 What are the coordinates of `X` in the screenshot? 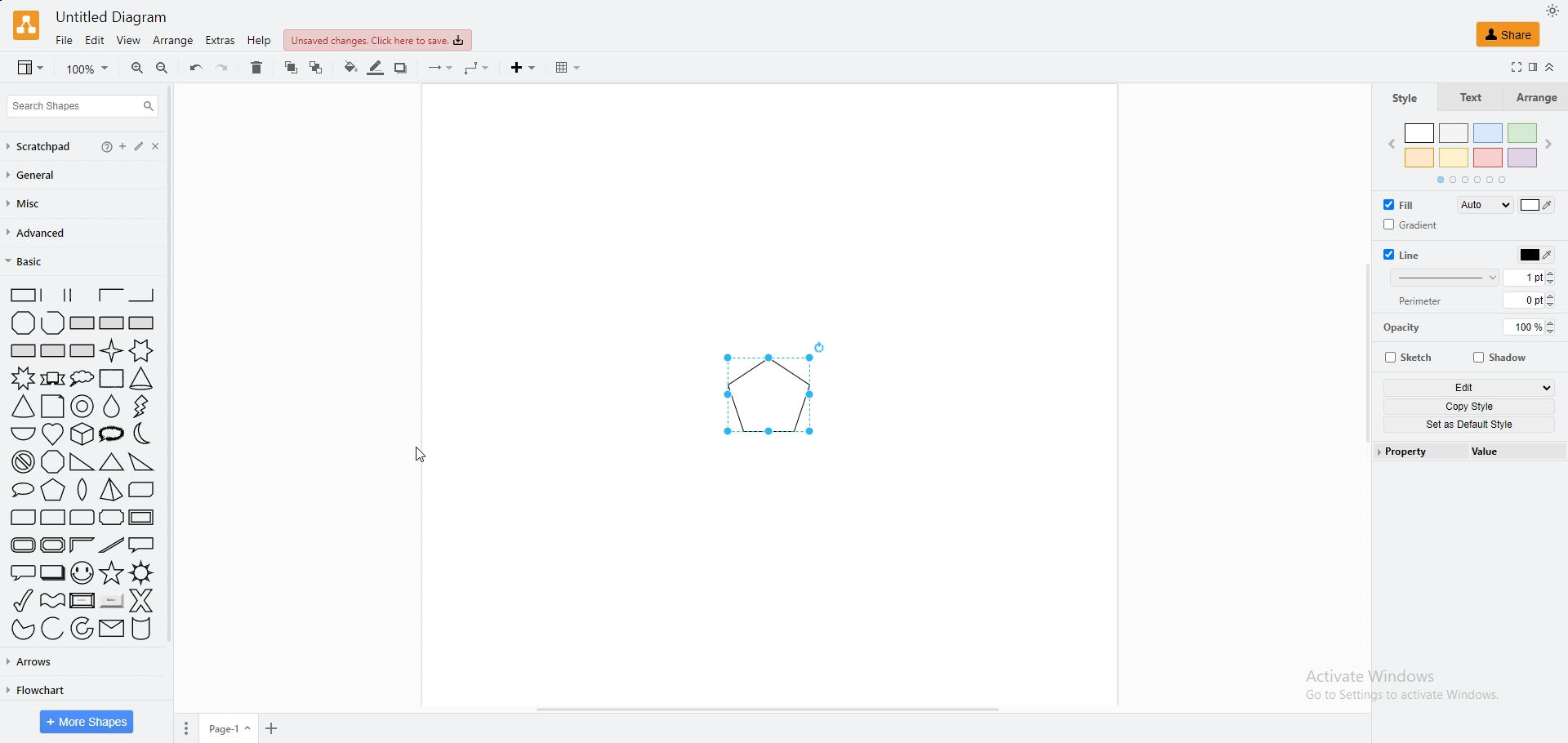 It's located at (142, 600).